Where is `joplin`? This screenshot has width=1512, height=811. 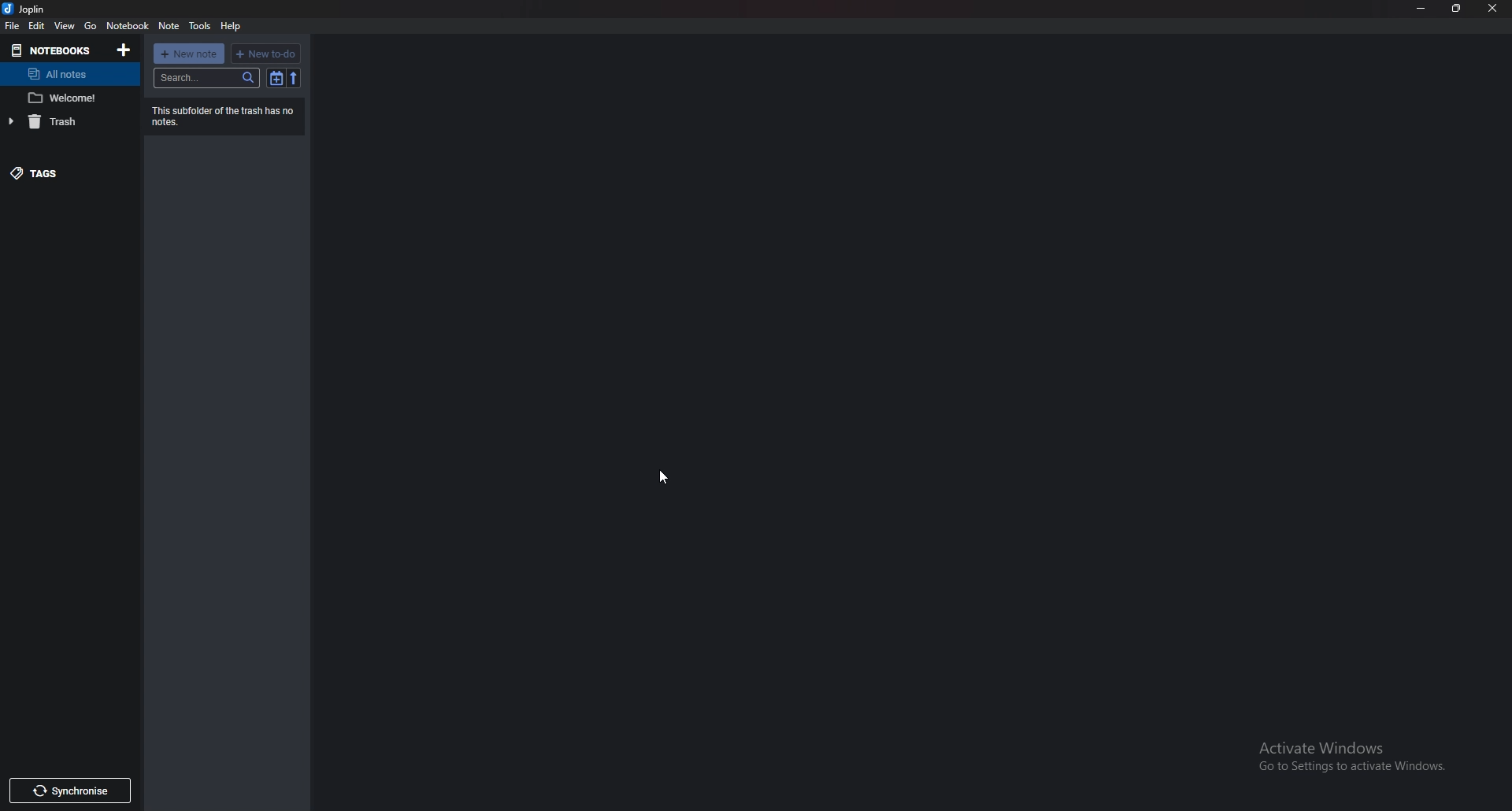
joplin is located at coordinates (27, 9).